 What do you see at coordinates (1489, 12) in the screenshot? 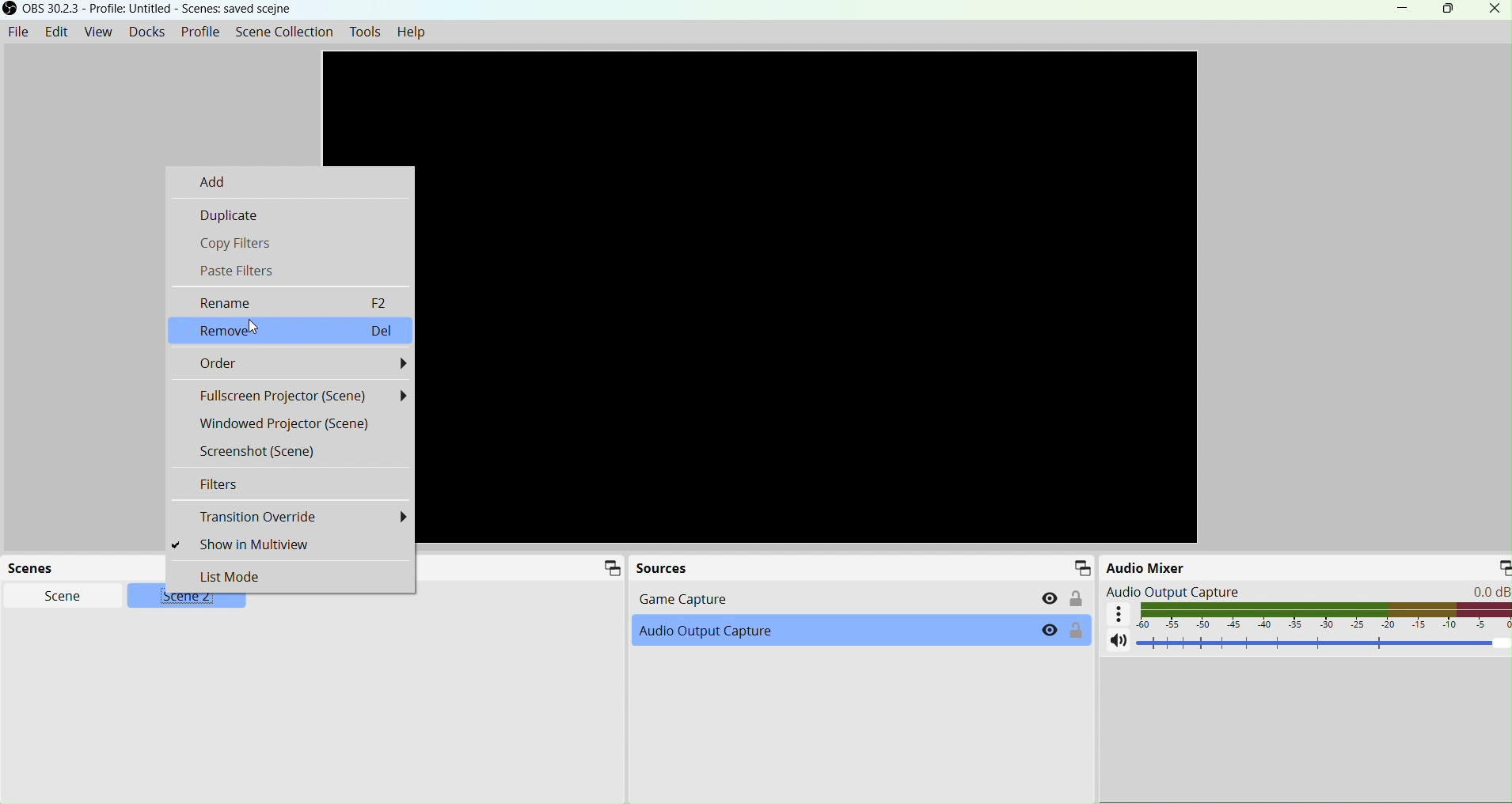
I see `Close` at bounding box center [1489, 12].